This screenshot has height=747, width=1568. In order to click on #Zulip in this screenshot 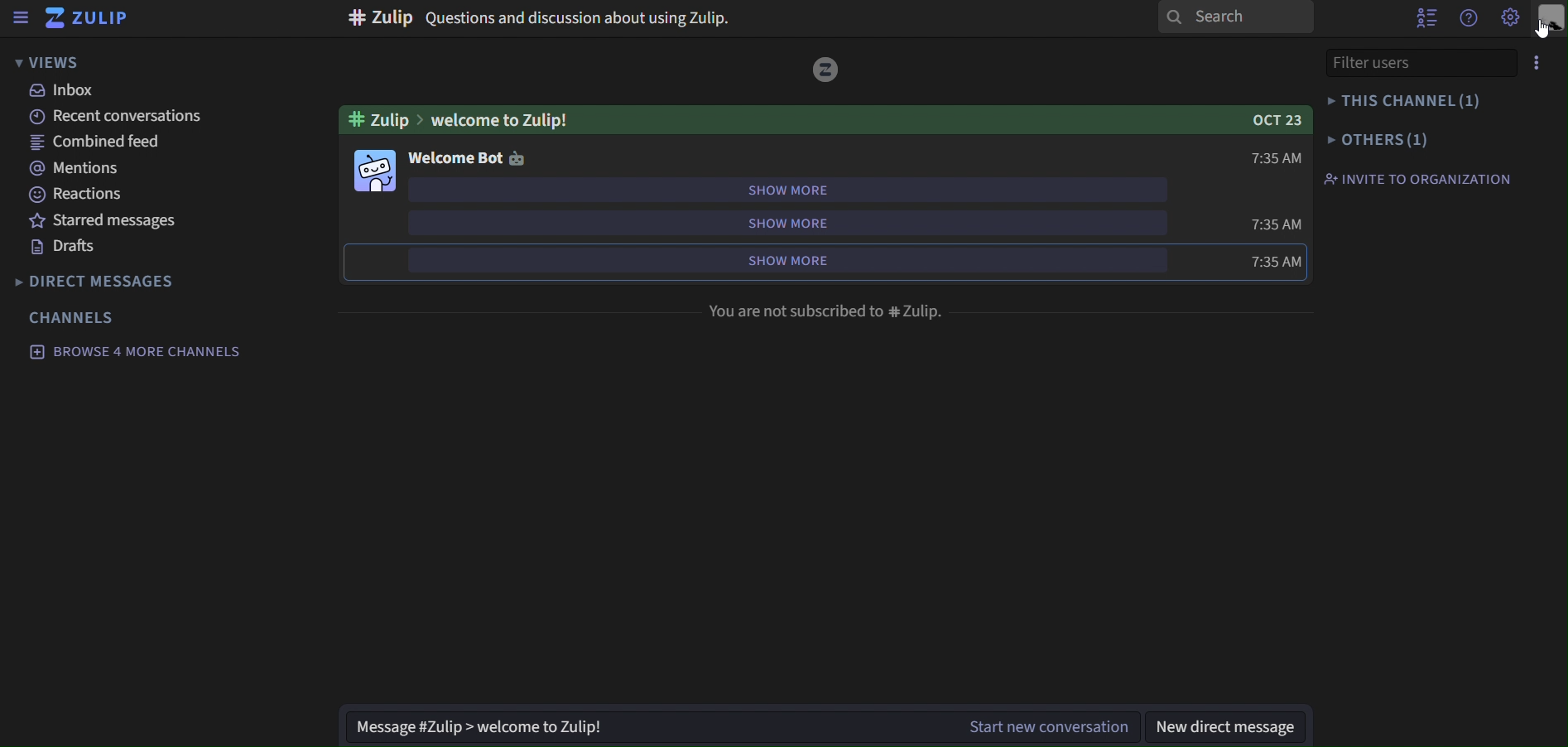, I will do `click(378, 119)`.